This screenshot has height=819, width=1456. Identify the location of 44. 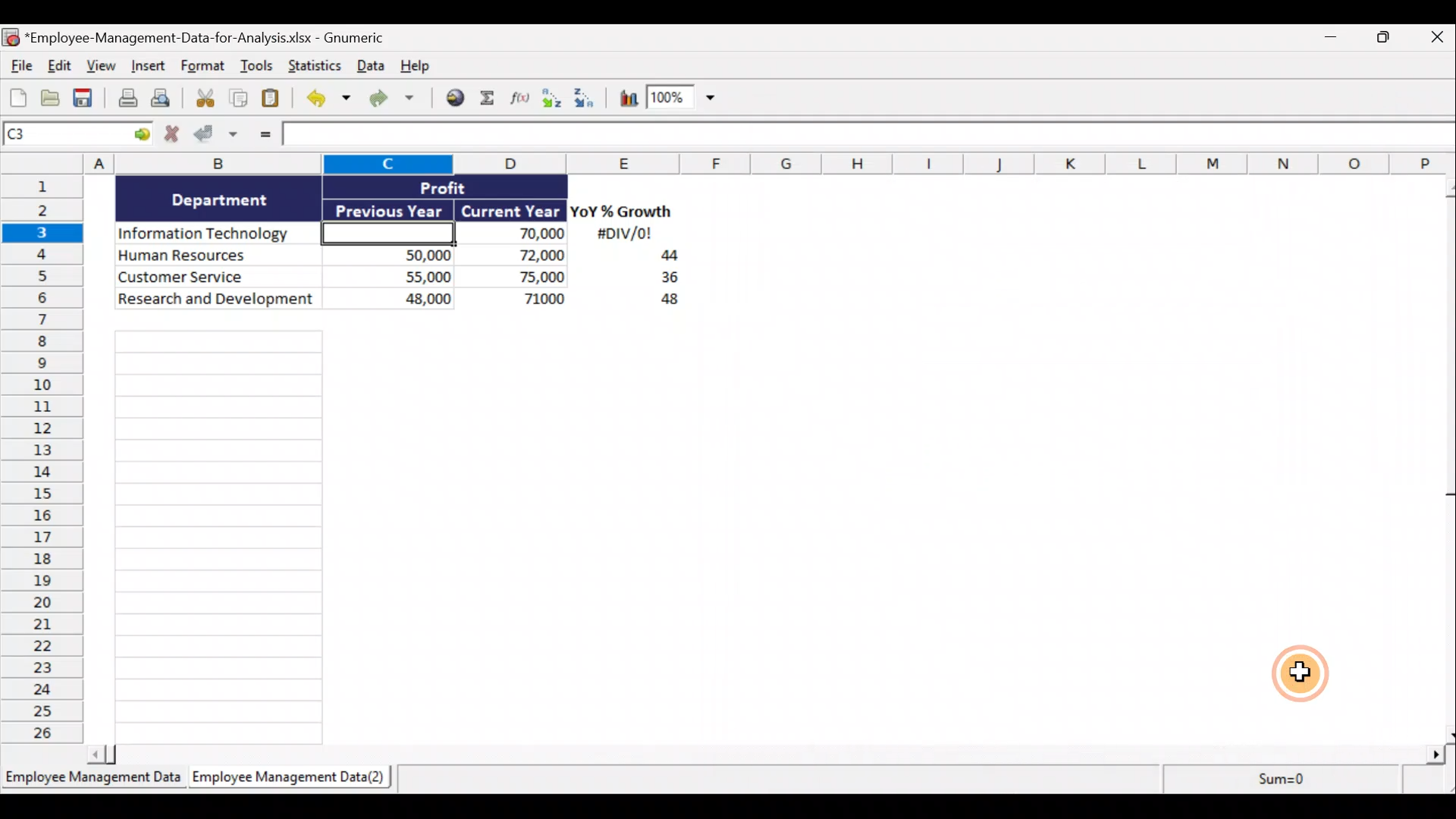
(661, 257).